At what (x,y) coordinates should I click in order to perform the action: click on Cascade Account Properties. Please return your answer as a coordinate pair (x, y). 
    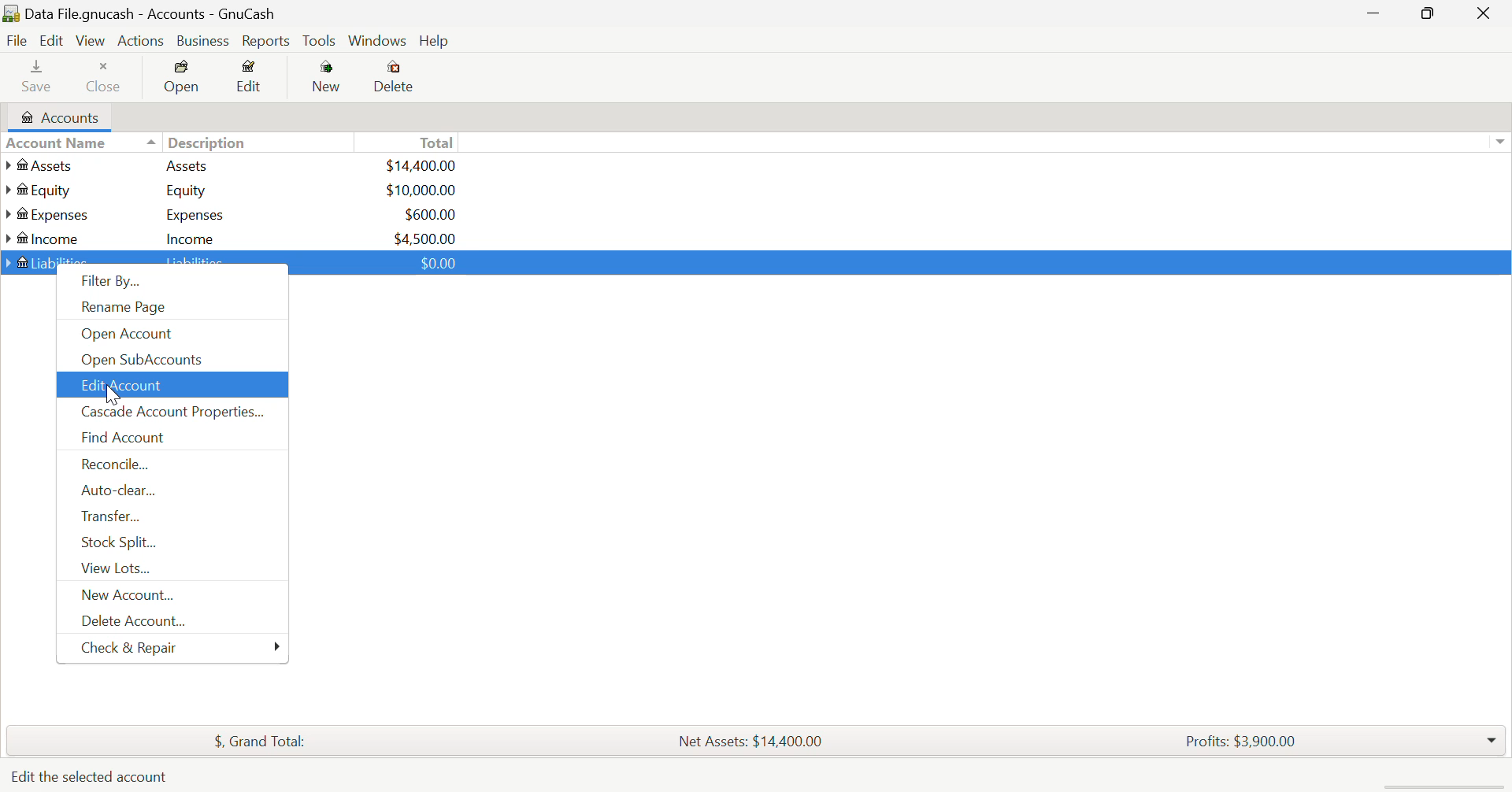
    Looking at the image, I should click on (172, 413).